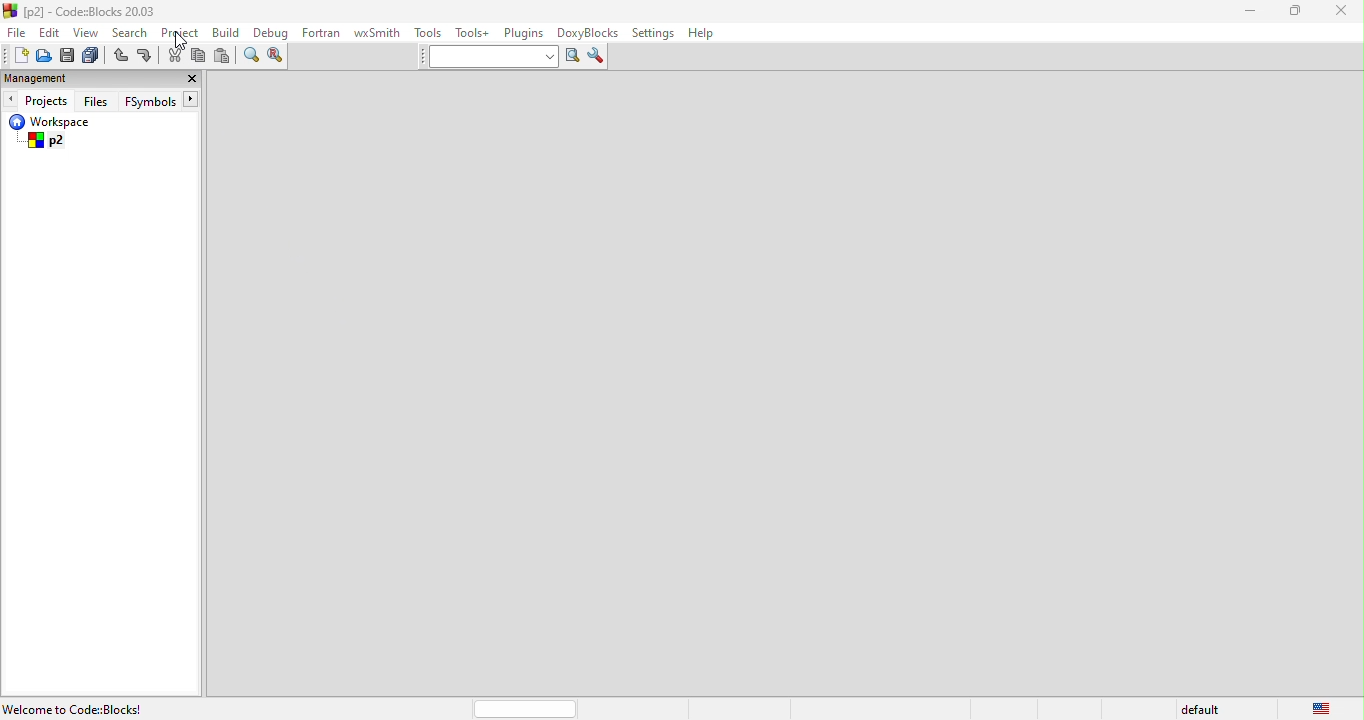  Describe the element at coordinates (52, 31) in the screenshot. I see `edit` at that location.